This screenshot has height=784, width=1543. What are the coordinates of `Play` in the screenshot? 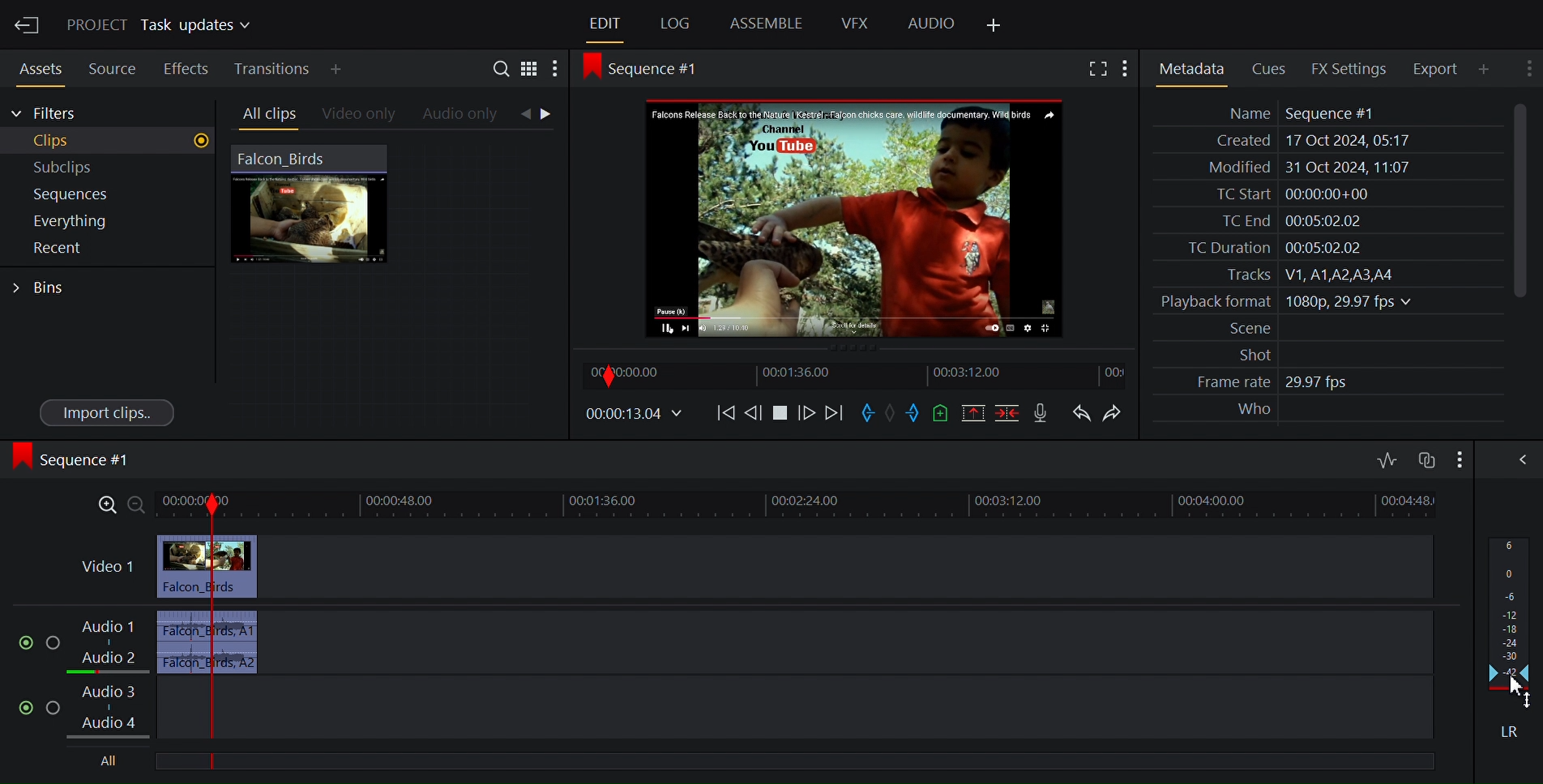 It's located at (782, 414).